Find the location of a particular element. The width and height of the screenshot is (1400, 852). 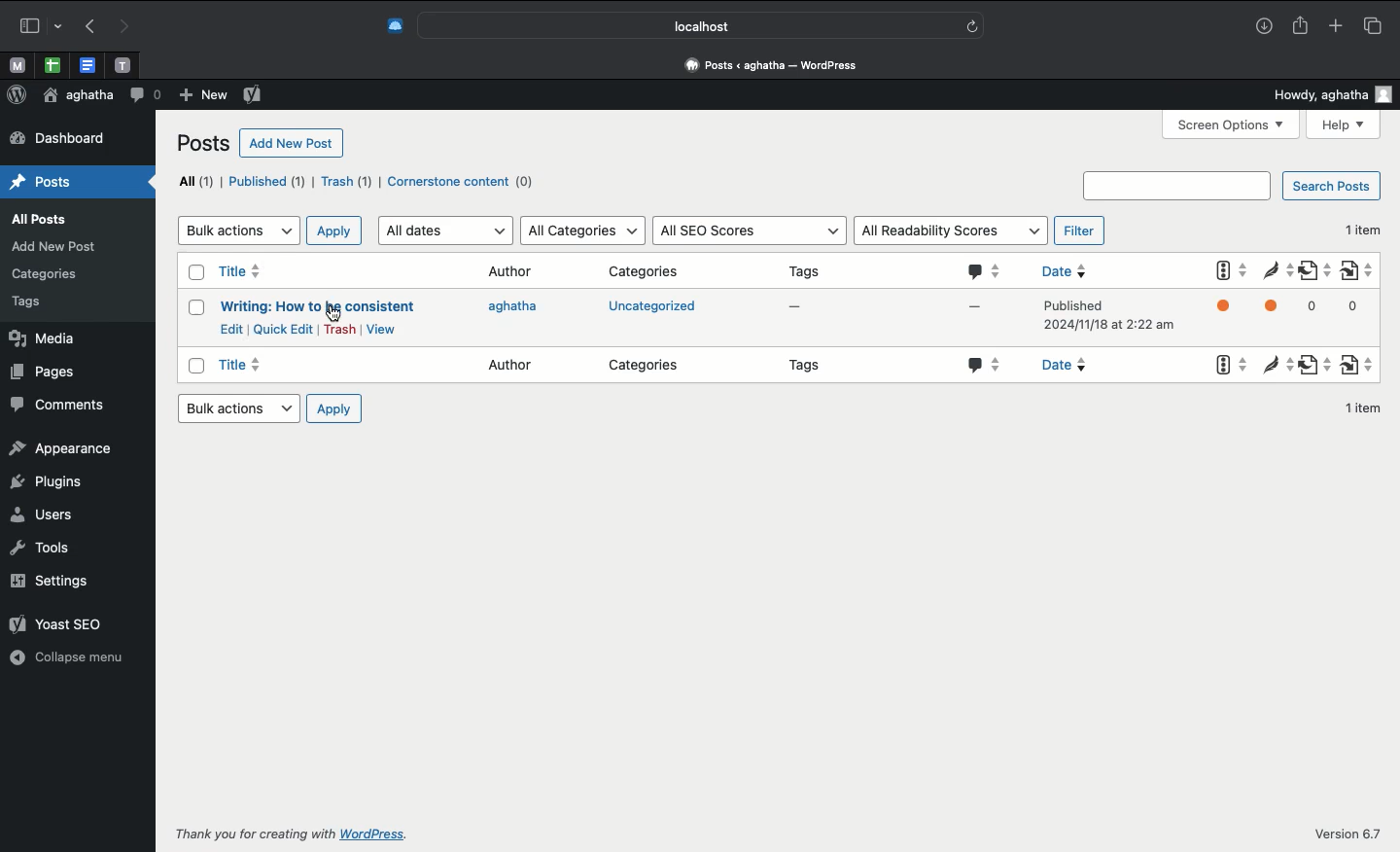

Yoast SEO is located at coordinates (254, 94).